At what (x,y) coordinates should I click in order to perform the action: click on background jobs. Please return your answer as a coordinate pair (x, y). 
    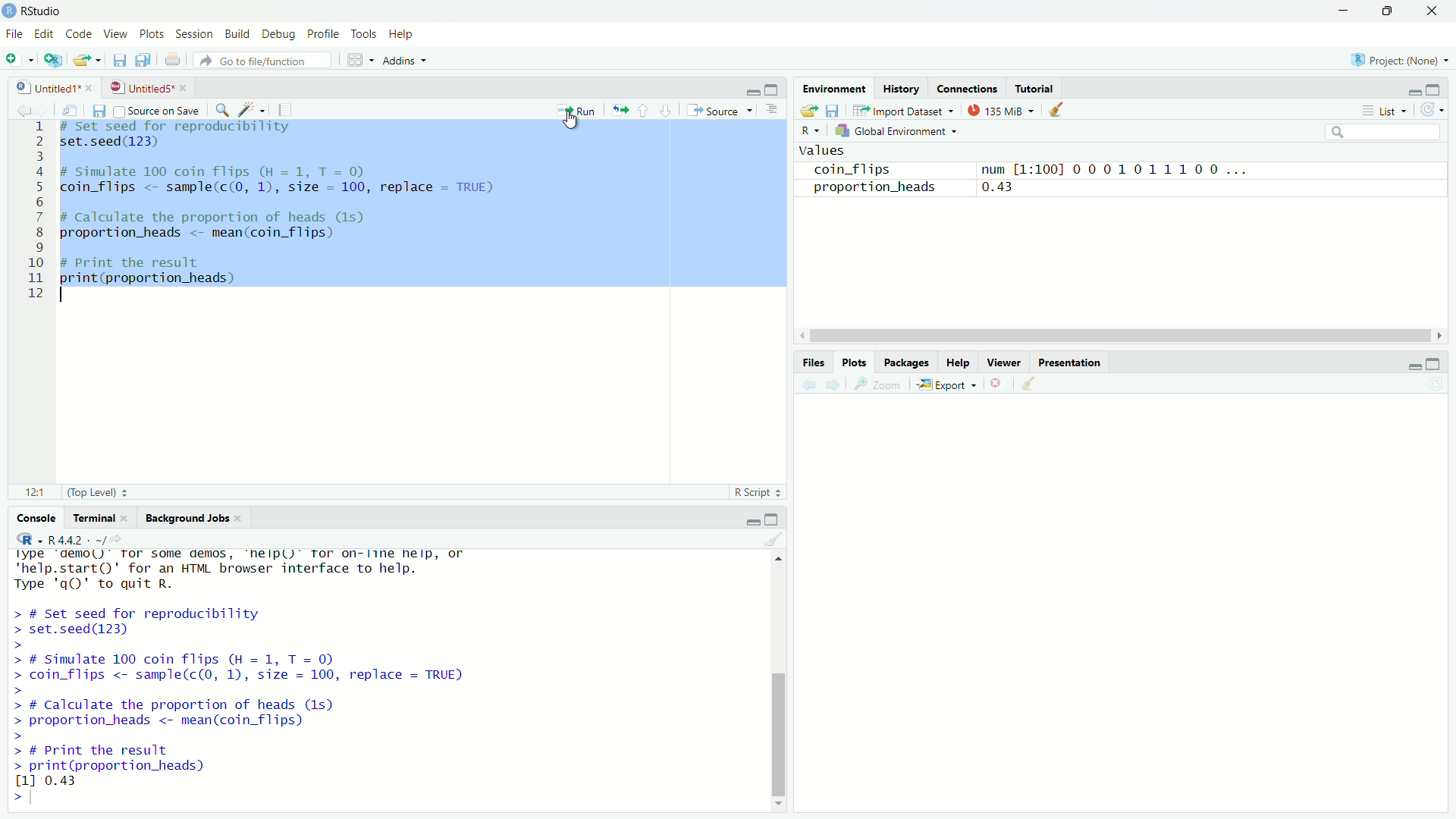
    Looking at the image, I should click on (187, 519).